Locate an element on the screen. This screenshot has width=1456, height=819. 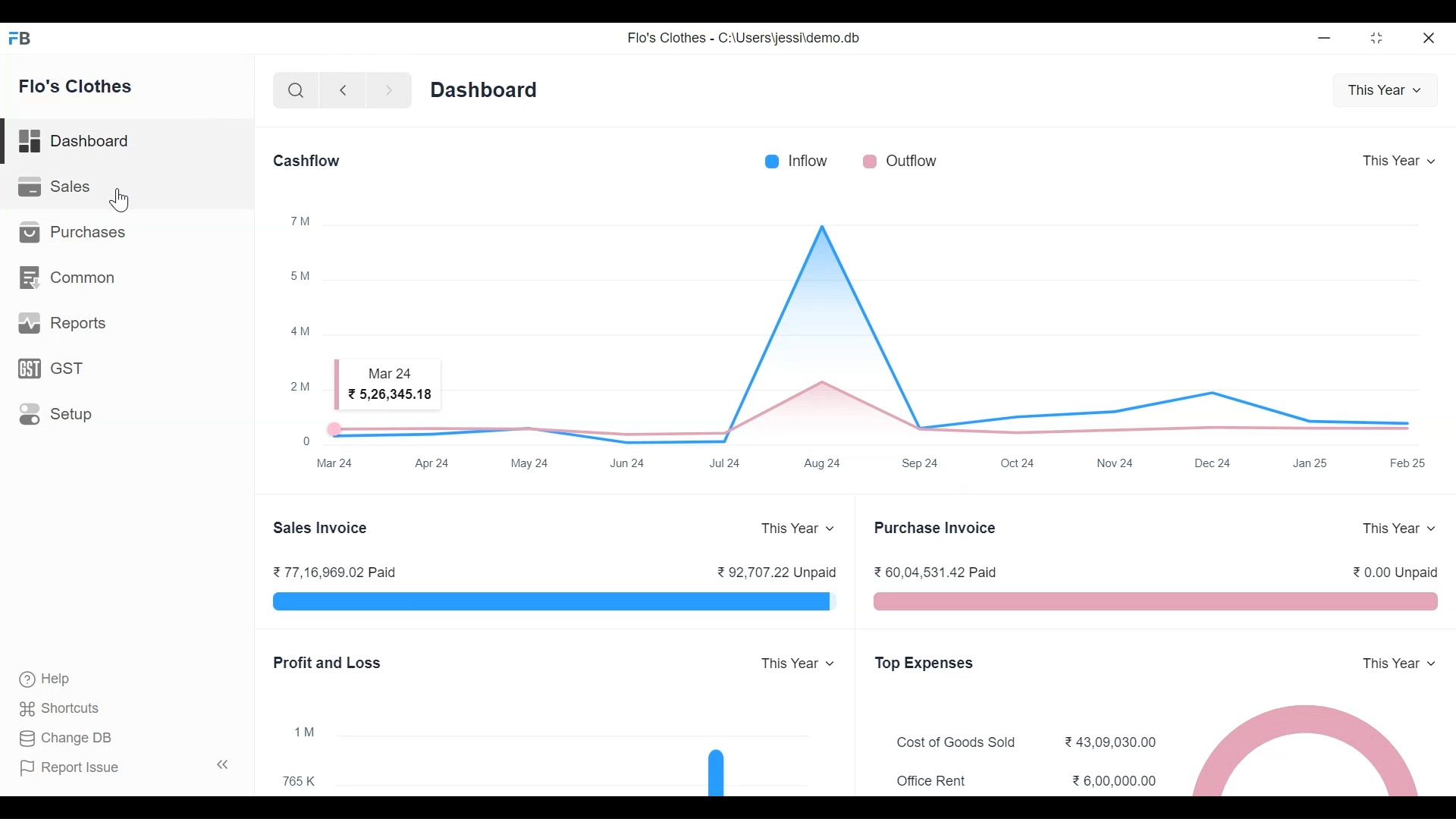
Purchases is located at coordinates (78, 234).